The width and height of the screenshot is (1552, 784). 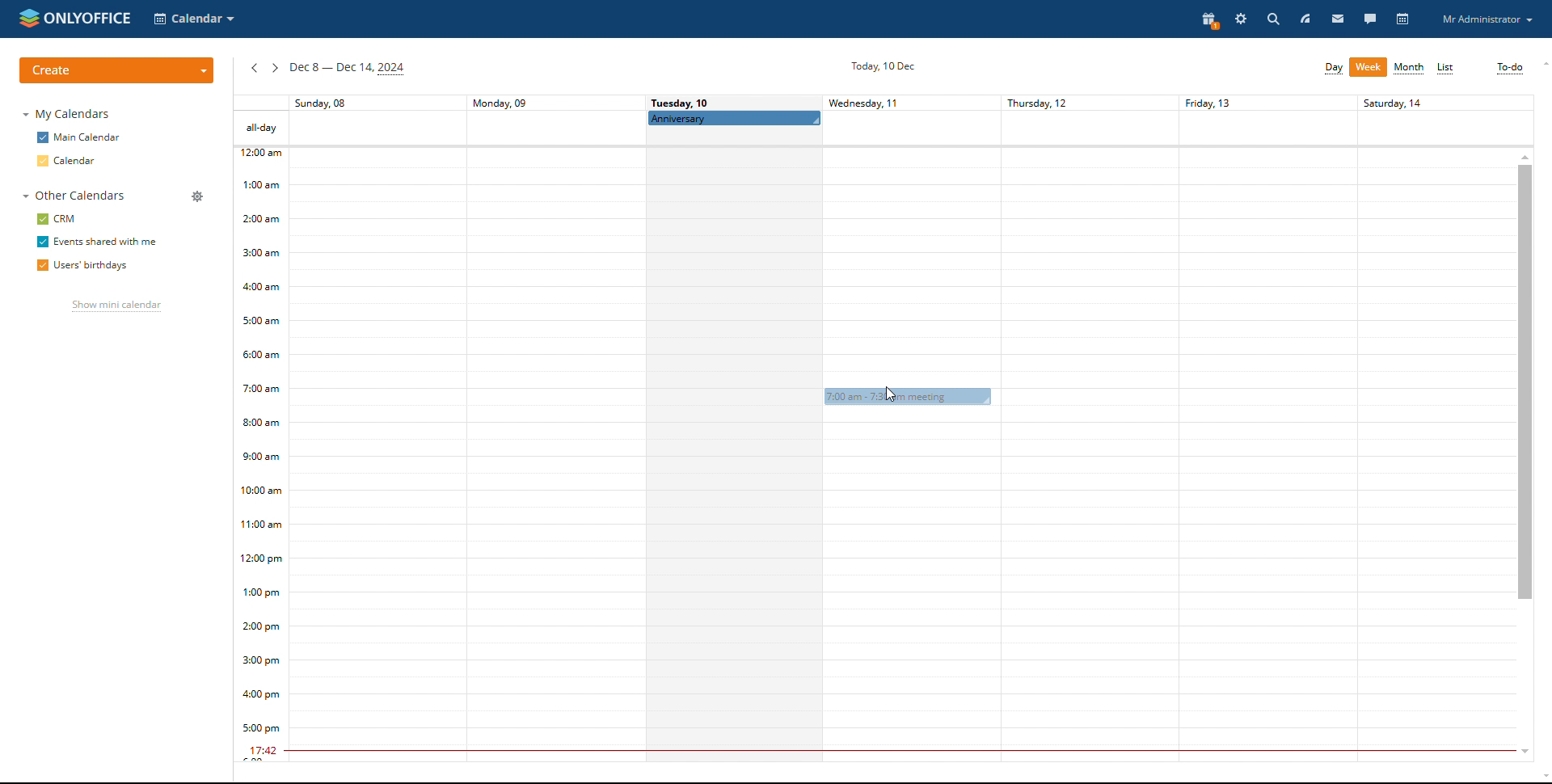 I want to click on month view, so click(x=1410, y=68).